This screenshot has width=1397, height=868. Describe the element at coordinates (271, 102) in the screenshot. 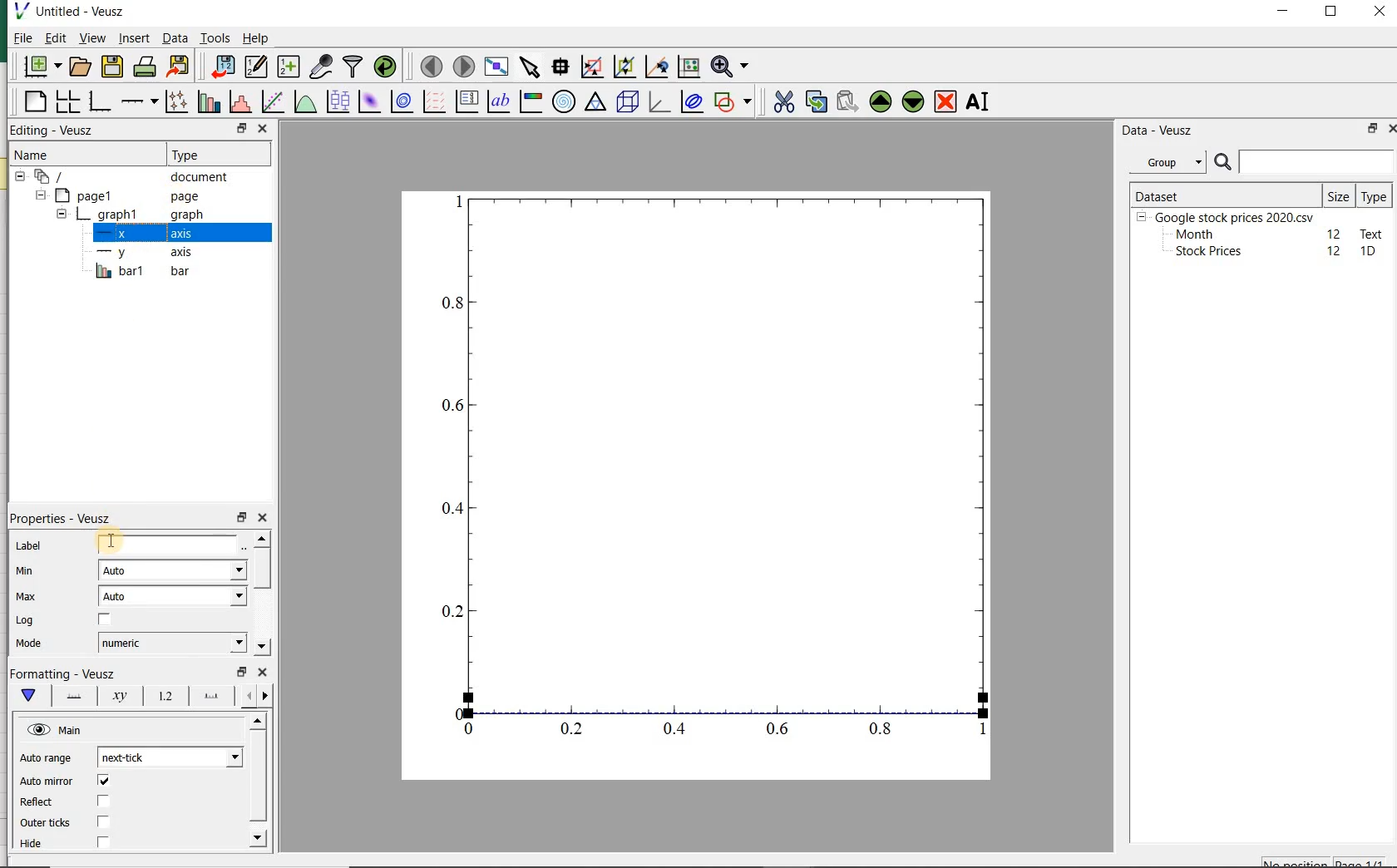

I see `fit a function to data` at that location.